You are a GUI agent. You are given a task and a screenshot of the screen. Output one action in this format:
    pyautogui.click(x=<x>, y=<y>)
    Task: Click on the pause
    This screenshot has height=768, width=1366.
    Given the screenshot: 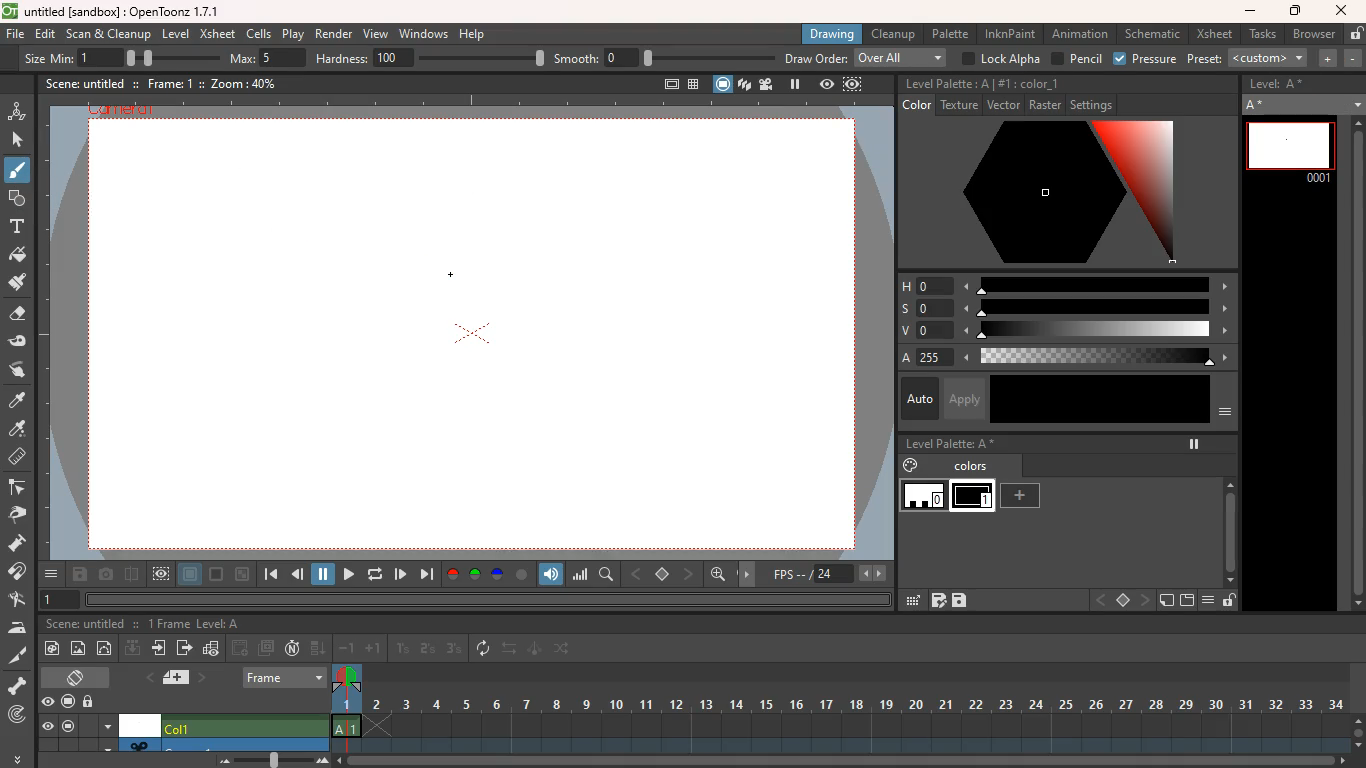 What is the action you would take?
    pyautogui.click(x=794, y=84)
    